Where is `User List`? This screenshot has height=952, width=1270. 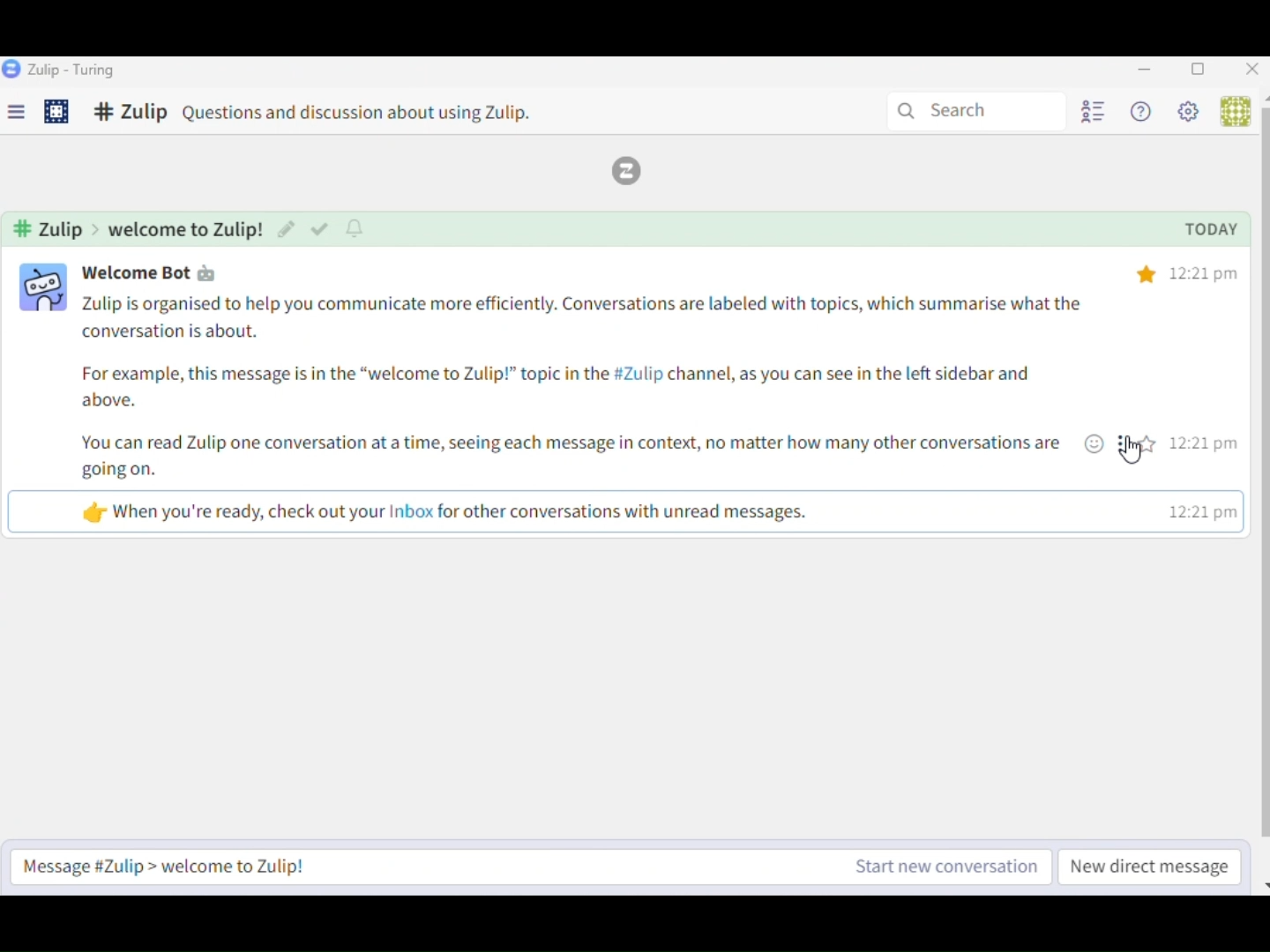
User List is located at coordinates (1091, 110).